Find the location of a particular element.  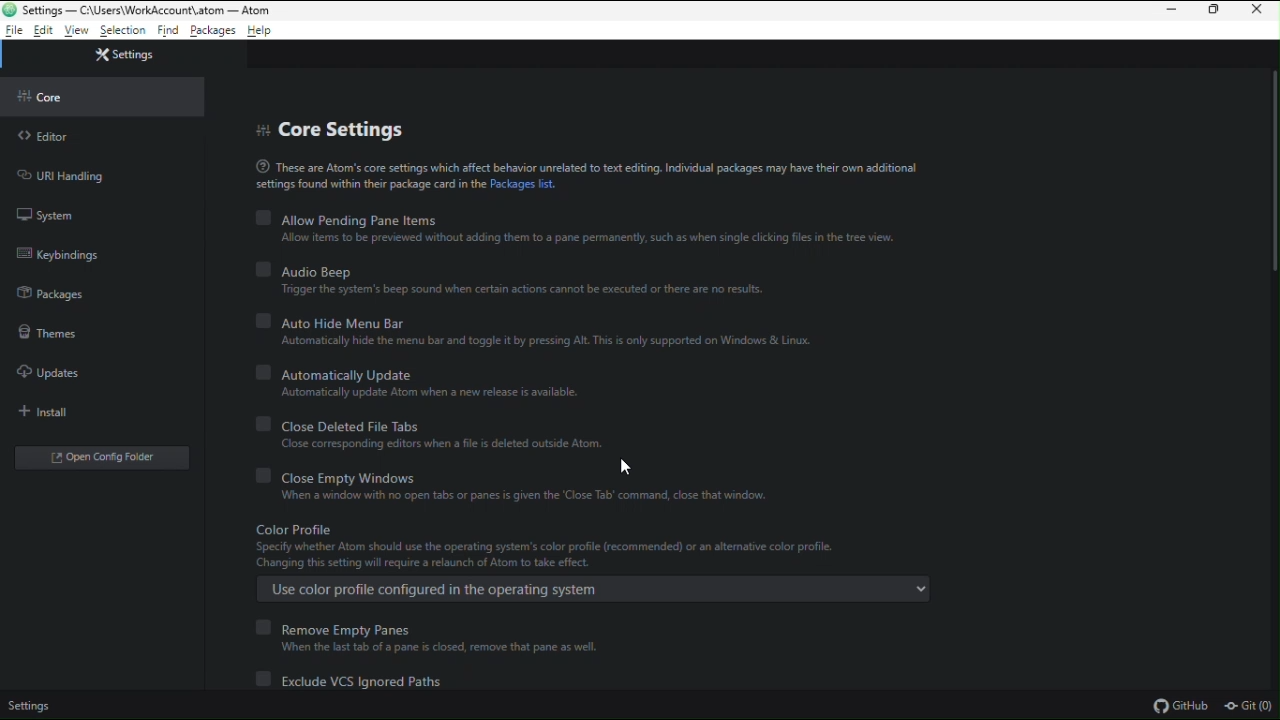

Auto hide menu bar is located at coordinates (541, 329).